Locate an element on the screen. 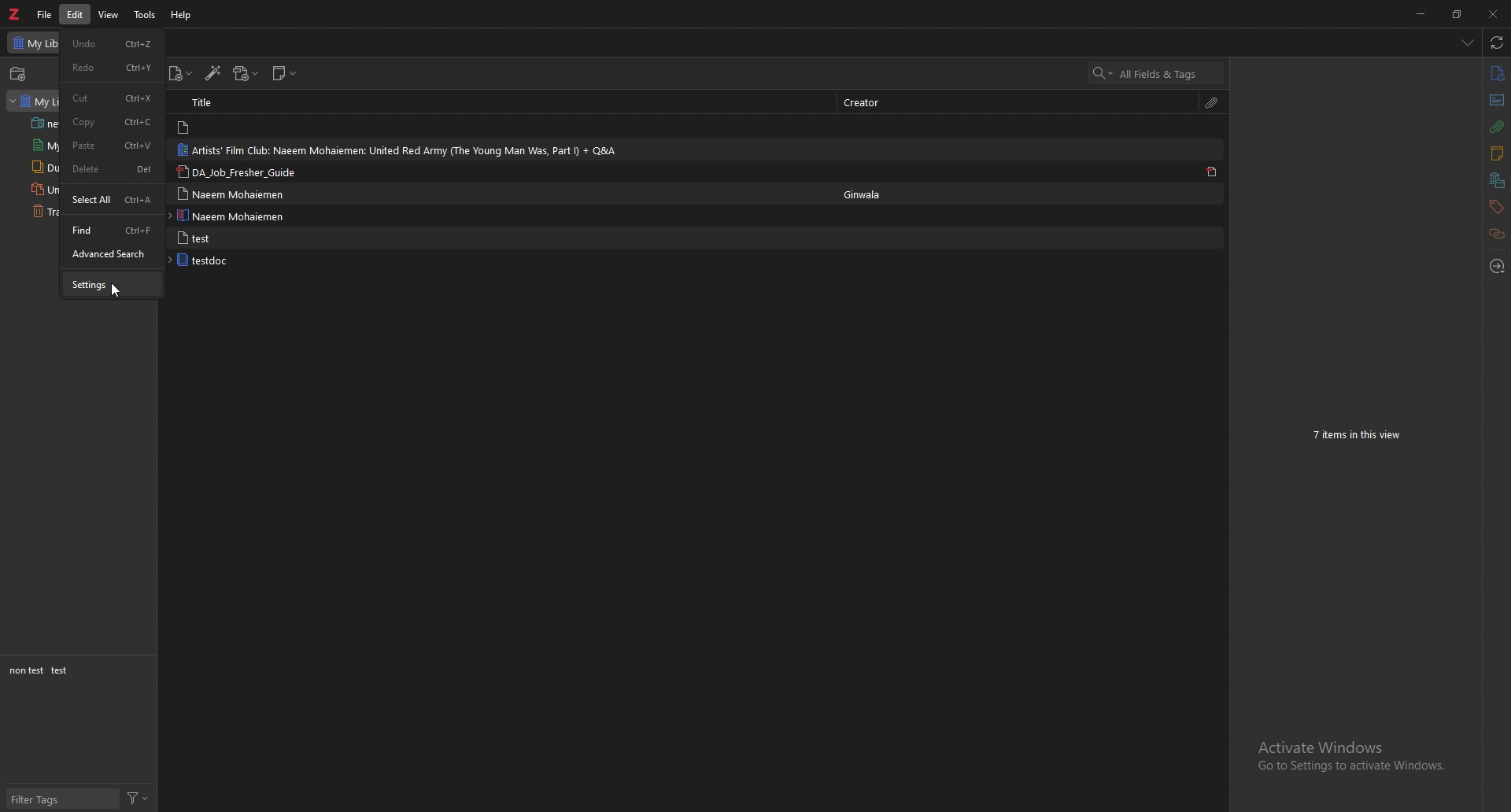 This screenshot has width=1511, height=812. close is located at coordinates (1492, 14).